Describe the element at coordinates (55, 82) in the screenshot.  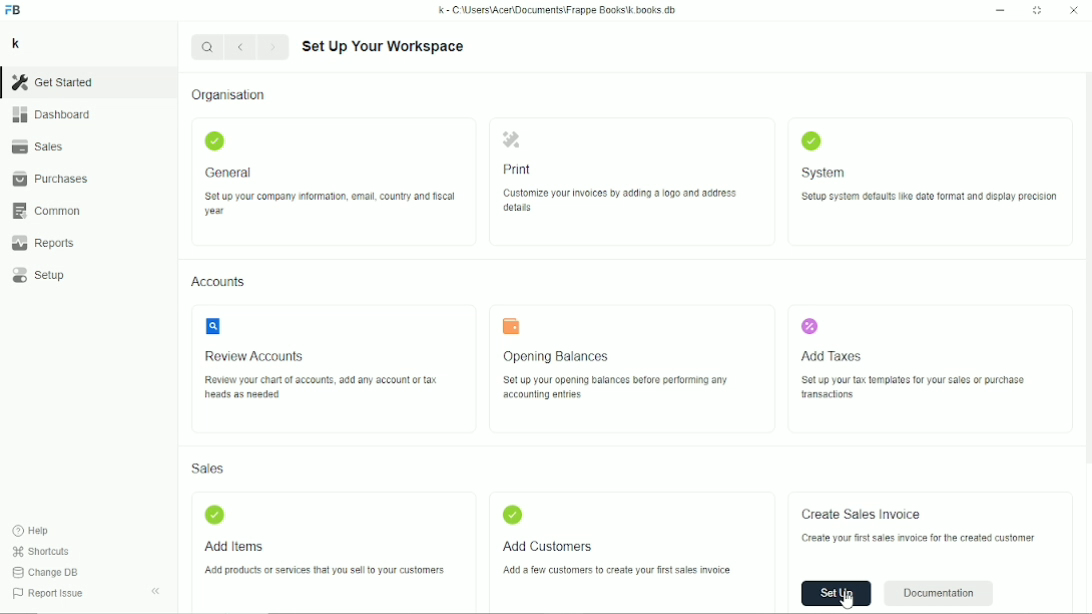
I see `Get started` at that location.